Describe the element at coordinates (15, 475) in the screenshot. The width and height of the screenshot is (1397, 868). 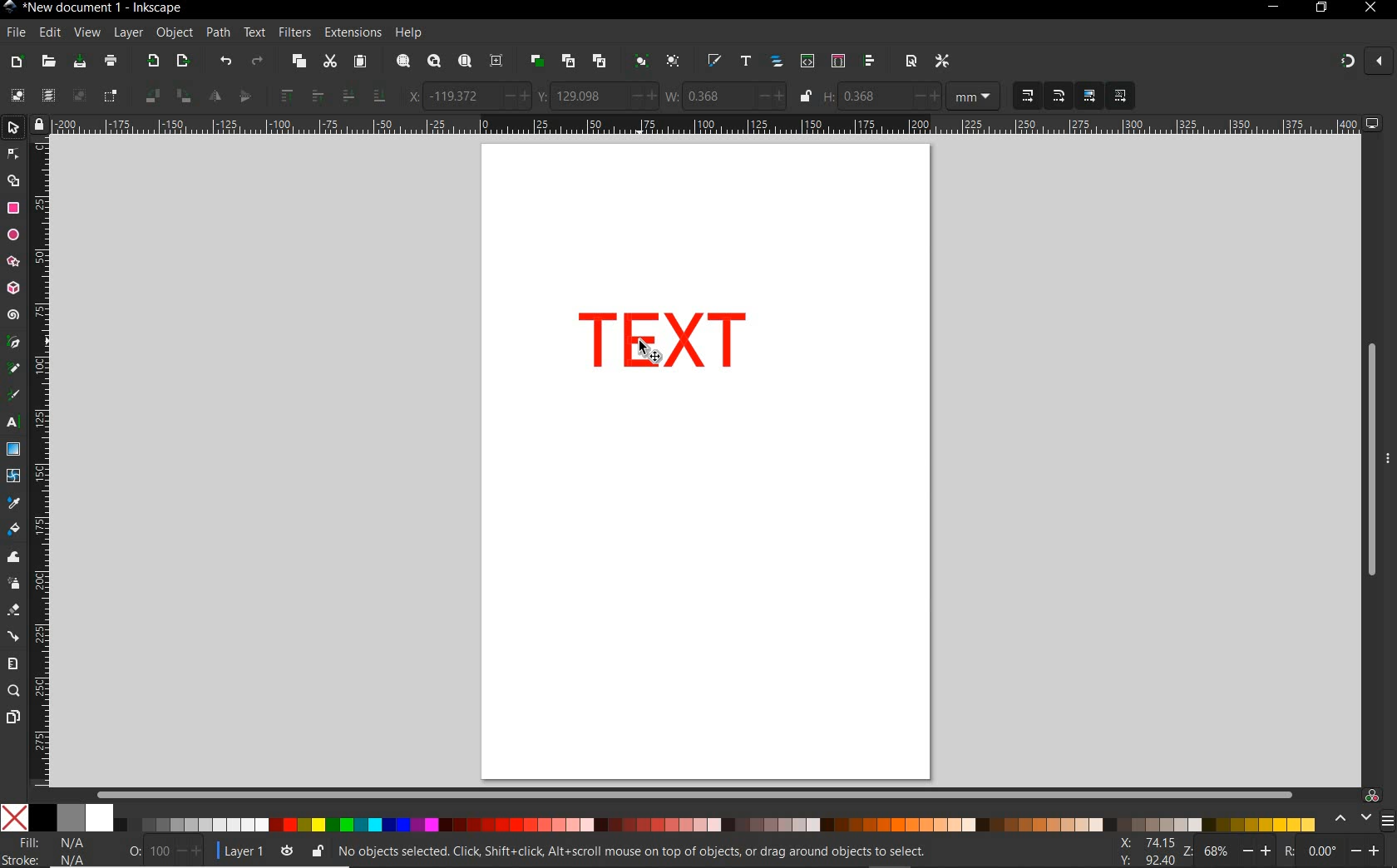
I see `MESH TOOL` at that location.